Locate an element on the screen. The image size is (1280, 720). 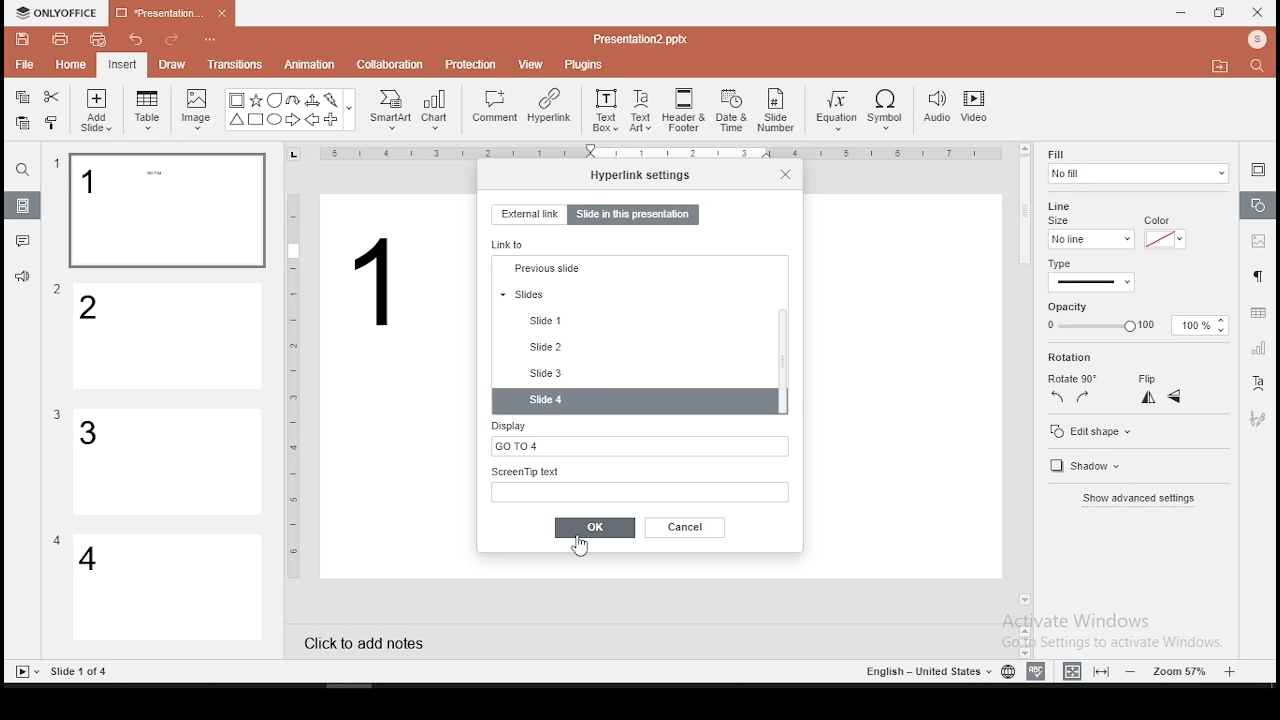
redo is located at coordinates (172, 42).